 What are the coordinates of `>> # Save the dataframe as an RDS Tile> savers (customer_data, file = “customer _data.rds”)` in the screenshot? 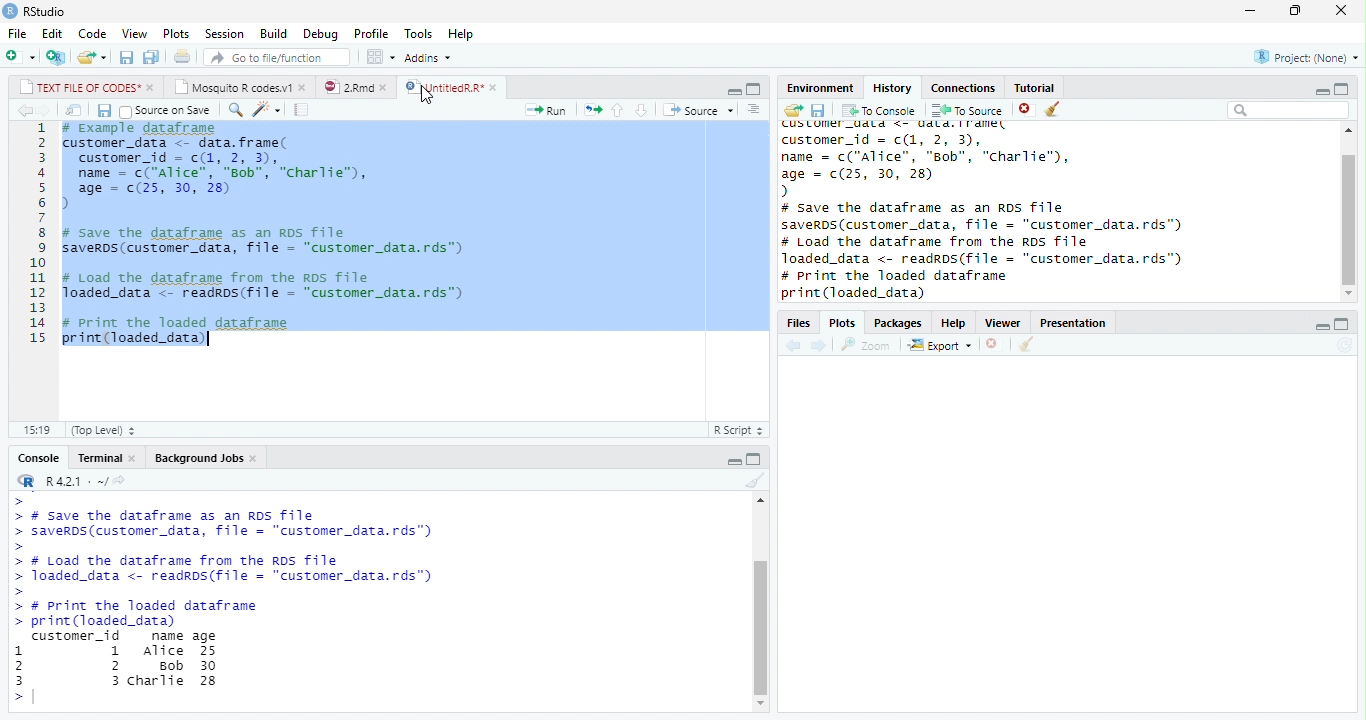 It's located at (231, 517).